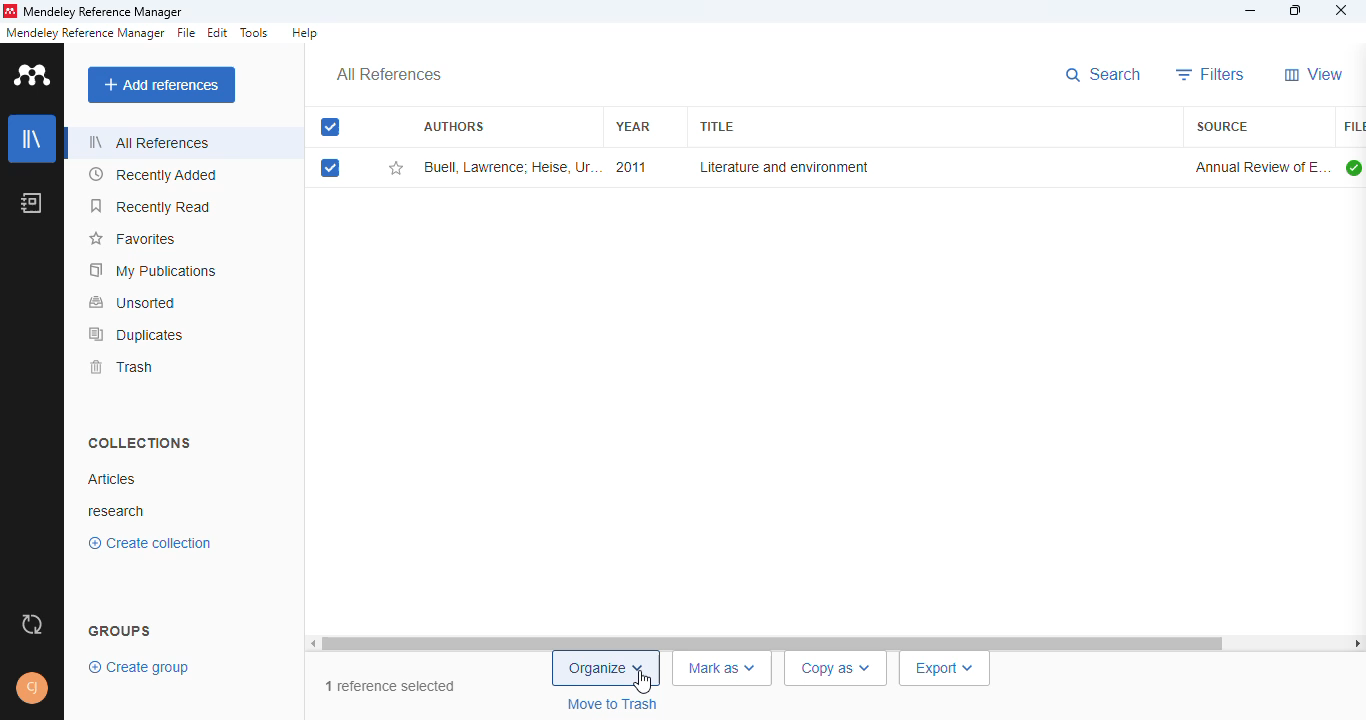 This screenshot has height=720, width=1366. What do you see at coordinates (1297, 10) in the screenshot?
I see `maximize` at bounding box center [1297, 10].